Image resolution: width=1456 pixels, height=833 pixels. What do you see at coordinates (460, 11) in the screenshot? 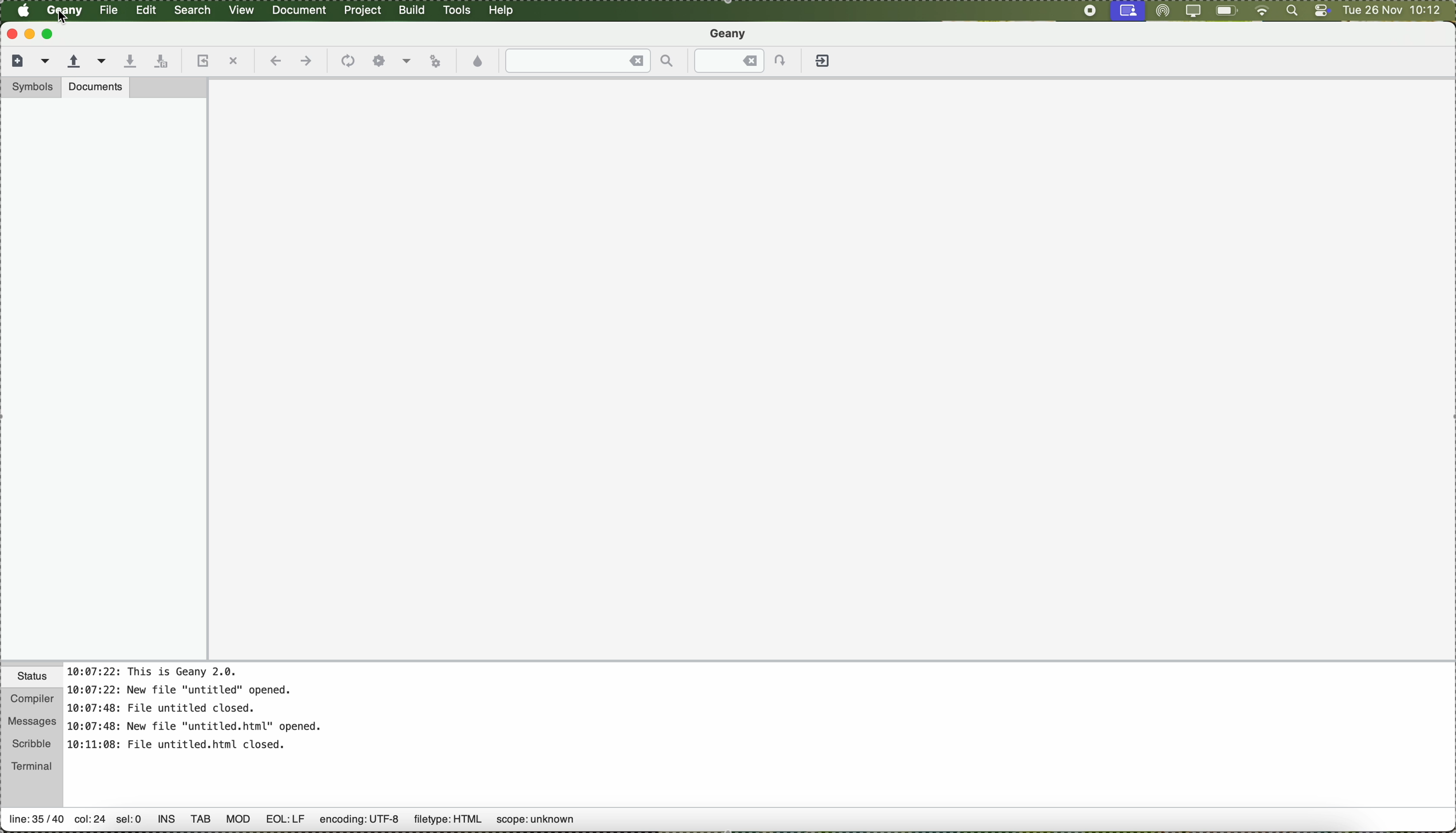
I see `tools` at bounding box center [460, 11].